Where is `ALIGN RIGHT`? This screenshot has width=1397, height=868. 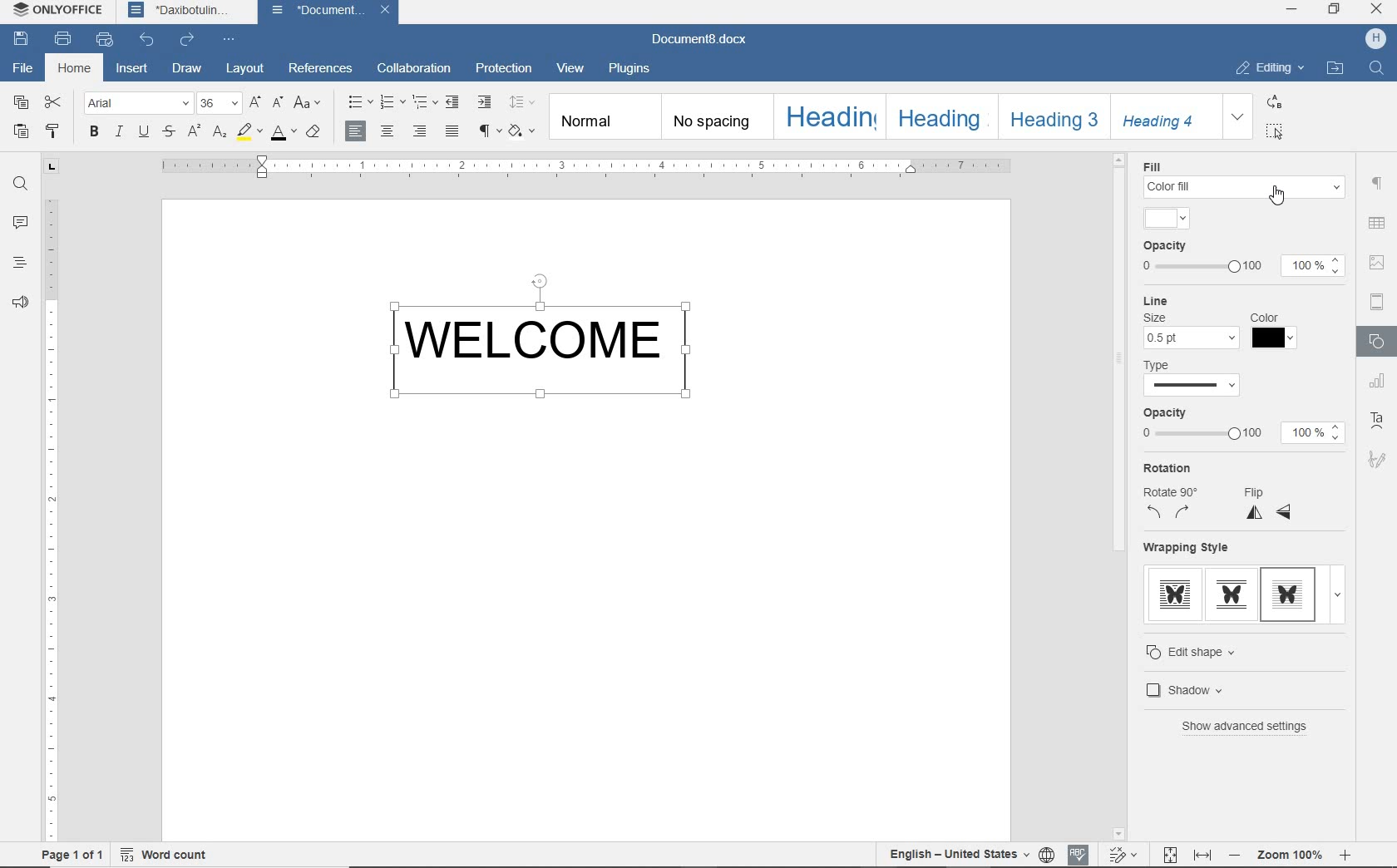 ALIGN RIGHT is located at coordinates (420, 130).